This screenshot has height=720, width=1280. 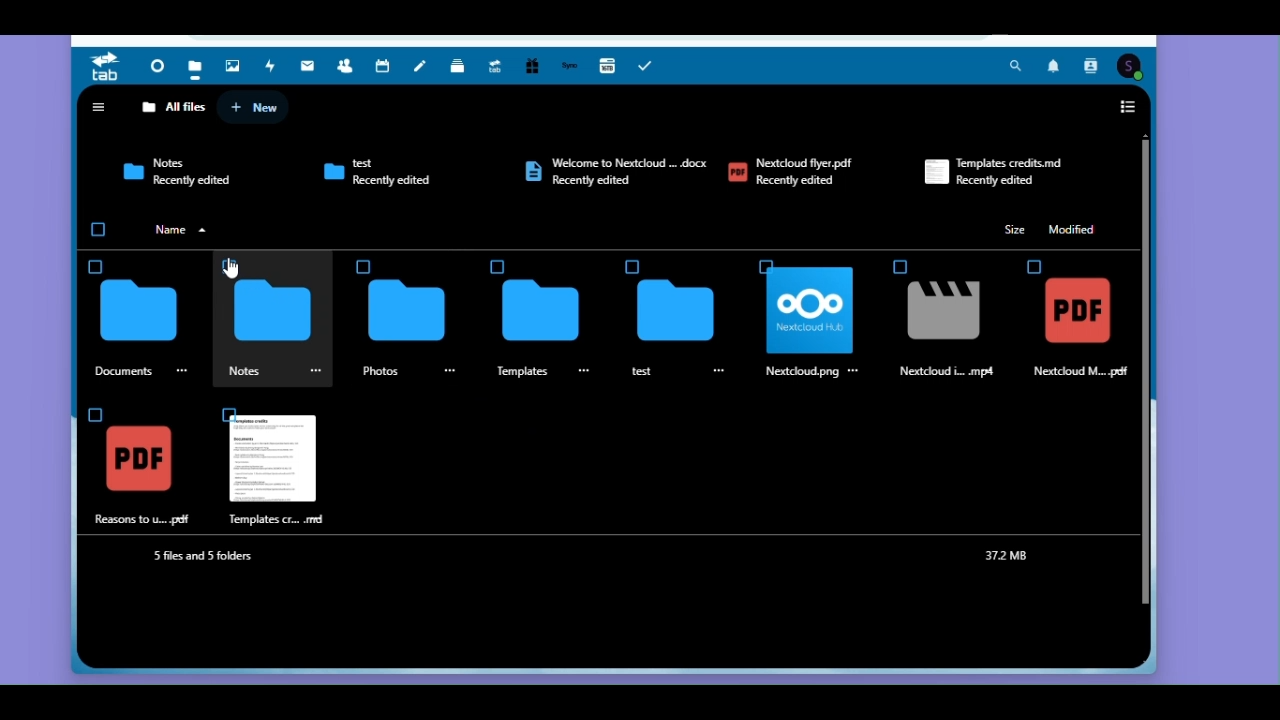 What do you see at coordinates (1002, 182) in the screenshot?
I see `Recently edited` at bounding box center [1002, 182].